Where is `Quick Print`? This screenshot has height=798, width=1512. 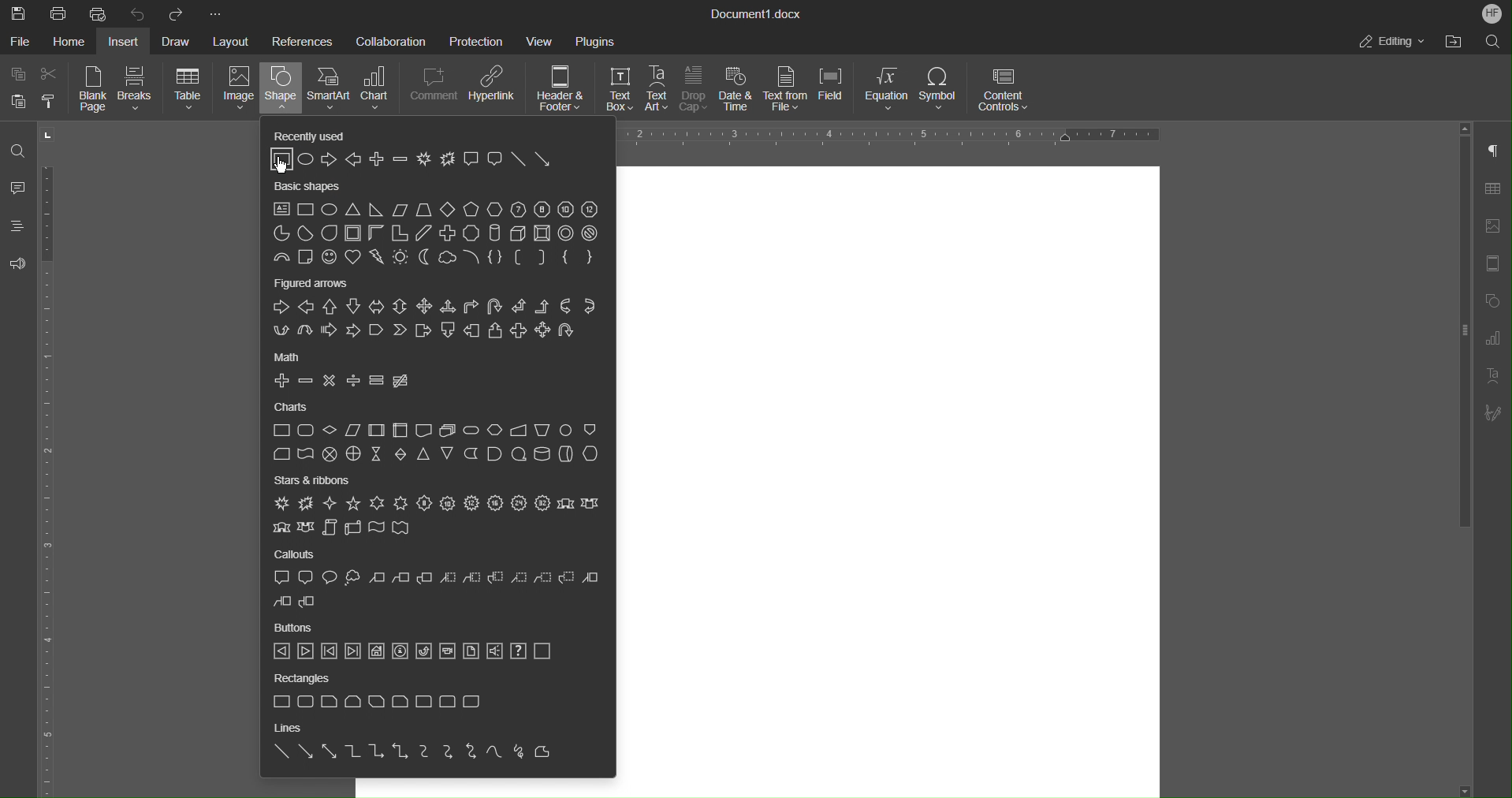 Quick Print is located at coordinates (99, 13).